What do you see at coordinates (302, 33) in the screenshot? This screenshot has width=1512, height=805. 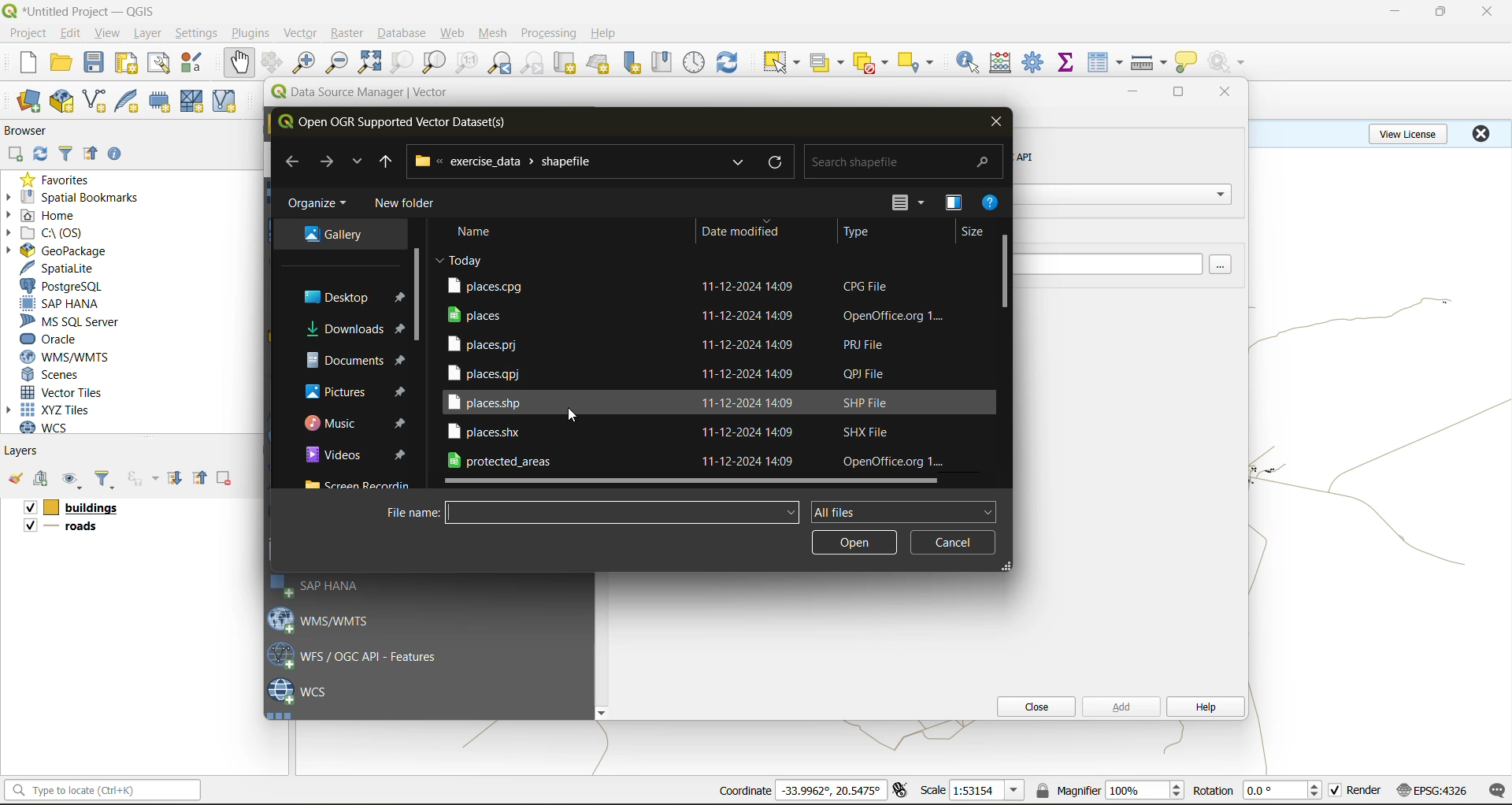 I see `vector` at bounding box center [302, 33].